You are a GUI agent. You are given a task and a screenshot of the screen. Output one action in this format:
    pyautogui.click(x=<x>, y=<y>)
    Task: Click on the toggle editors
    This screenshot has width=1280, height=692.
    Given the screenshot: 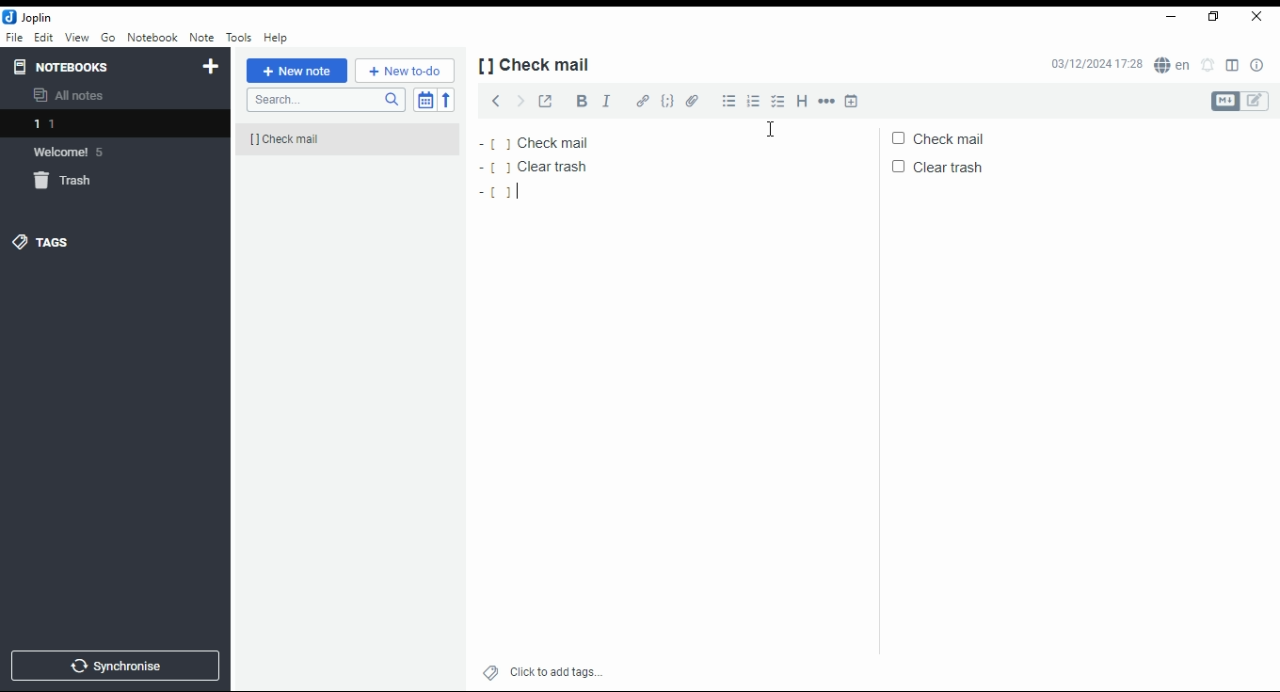 What is the action you would take?
    pyautogui.click(x=1239, y=102)
    